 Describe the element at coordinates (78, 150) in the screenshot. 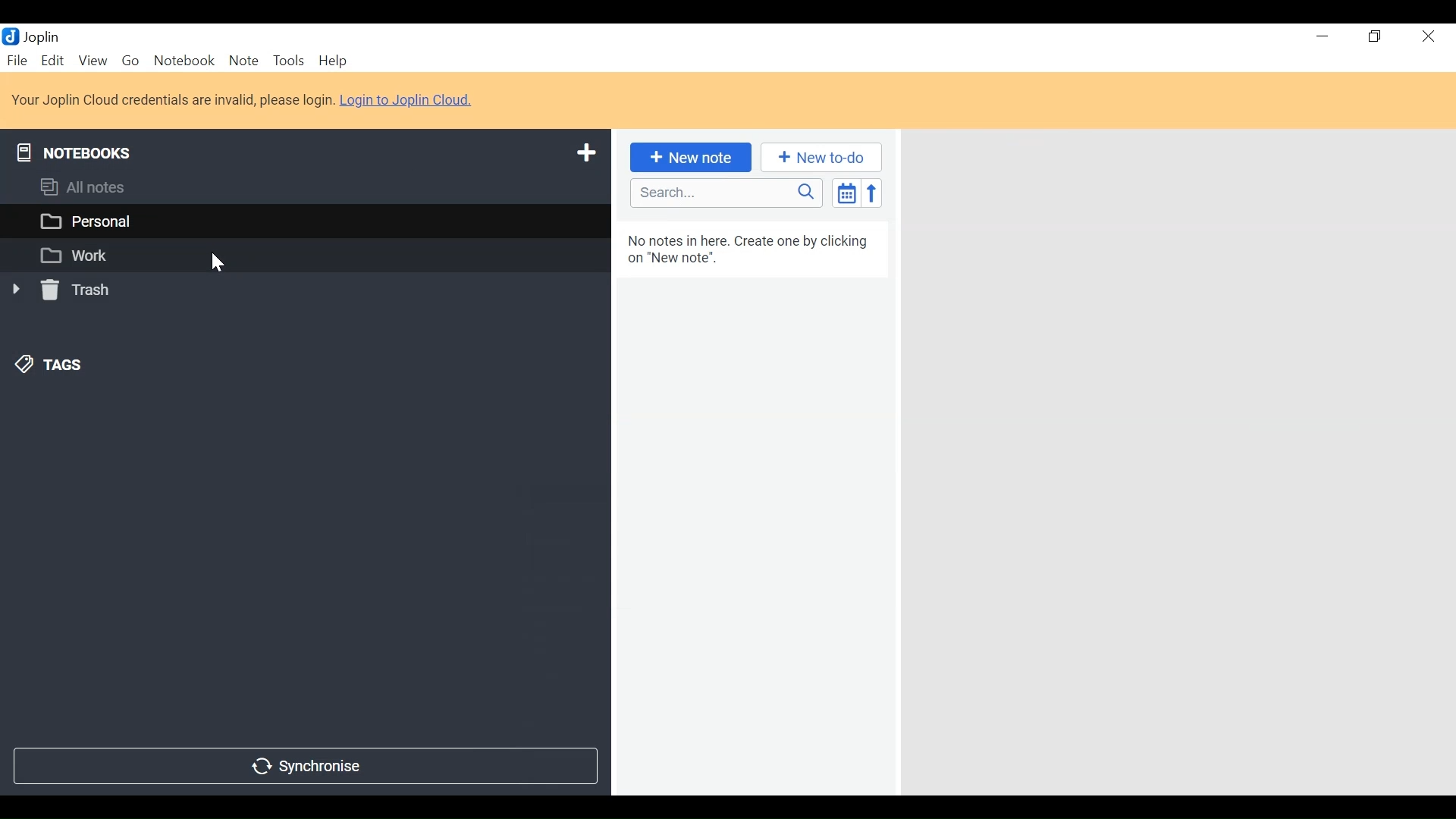

I see `Notebooks` at that location.